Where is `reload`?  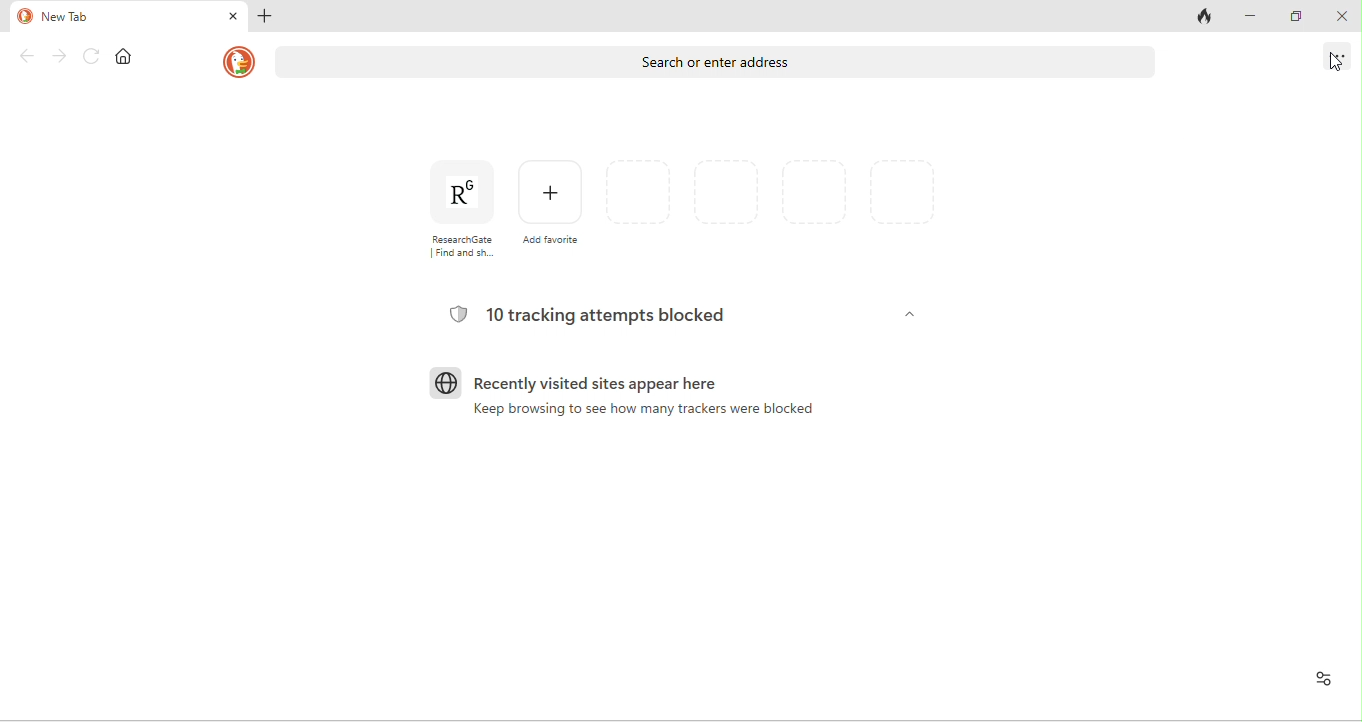 reload is located at coordinates (90, 55).